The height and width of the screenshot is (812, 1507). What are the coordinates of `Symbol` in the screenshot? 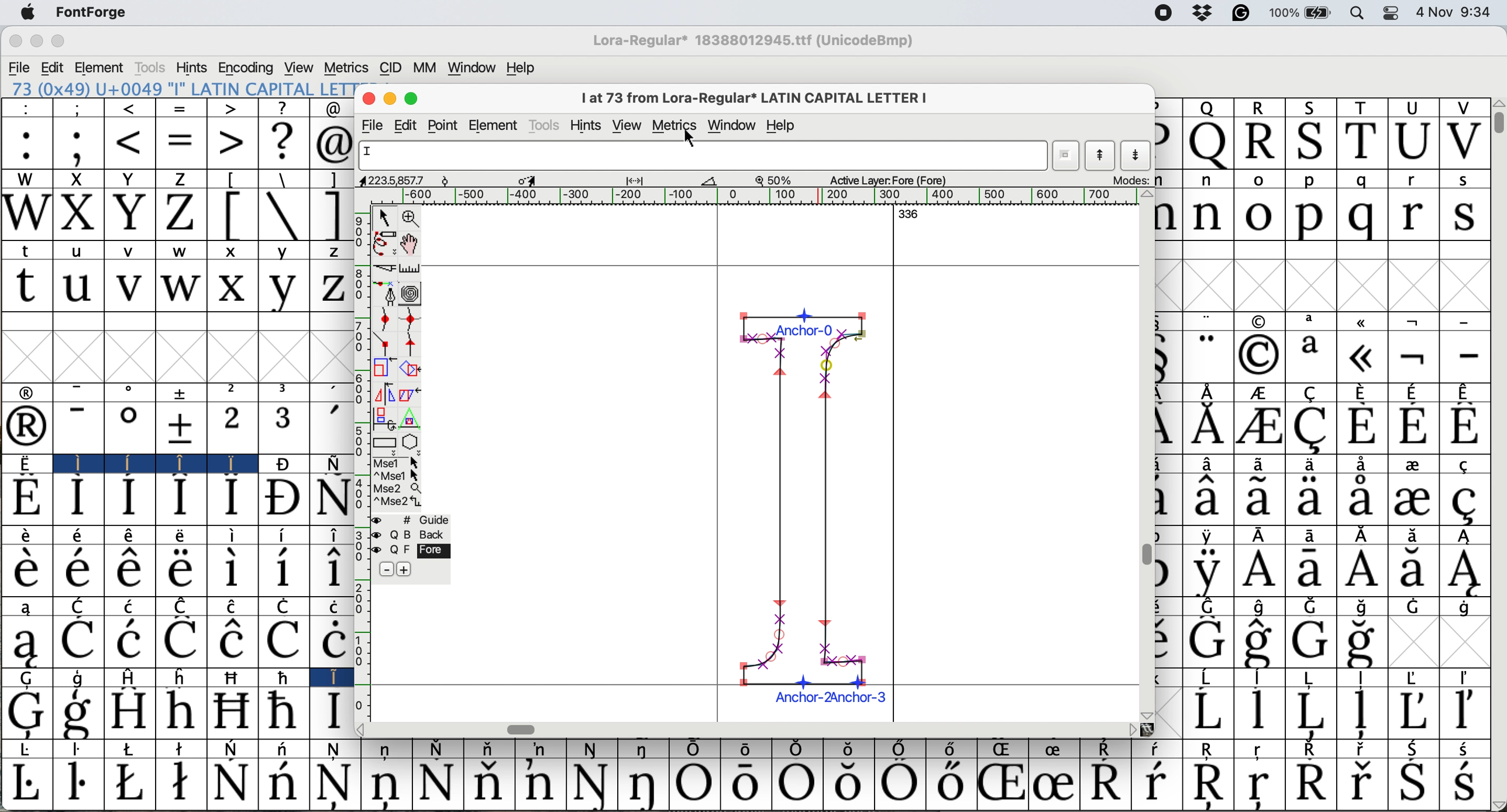 It's located at (332, 712).